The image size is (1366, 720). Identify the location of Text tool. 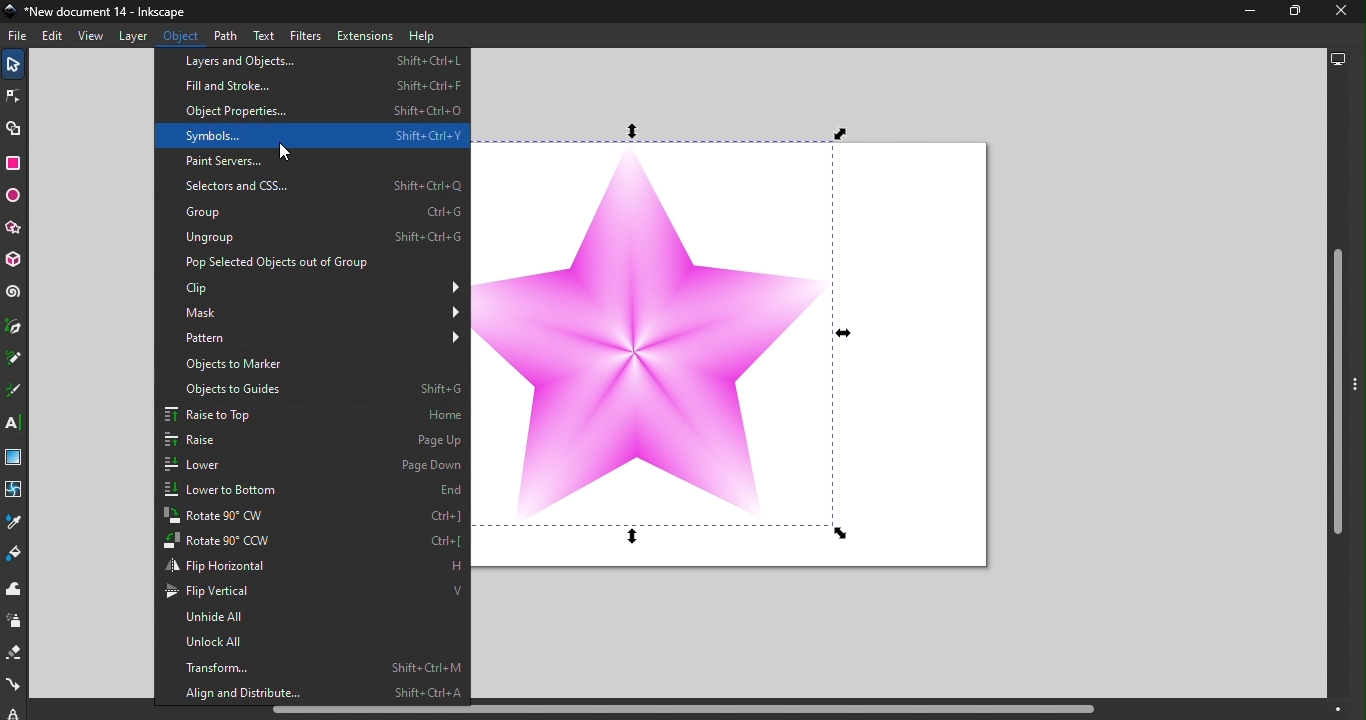
(15, 423).